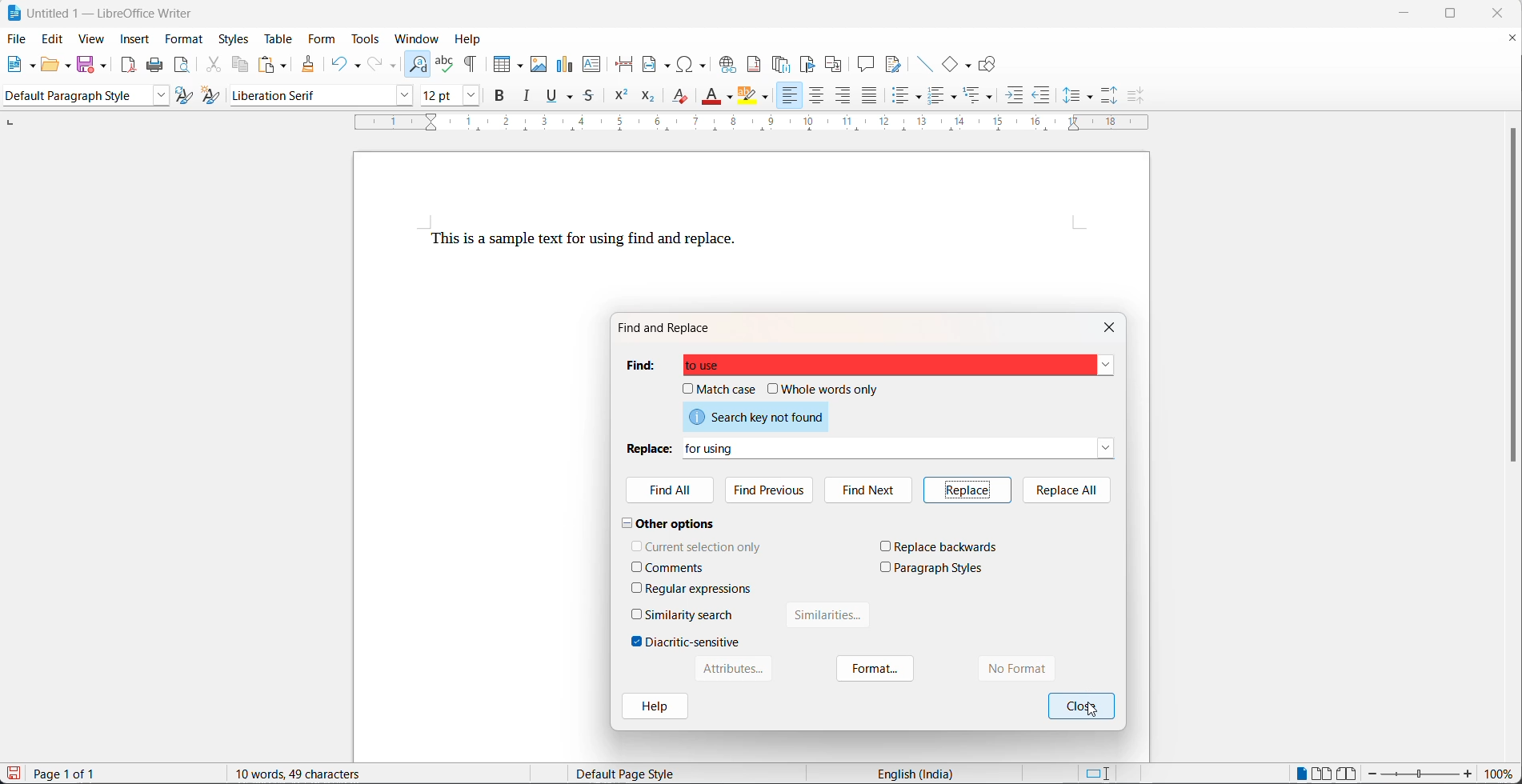 The image size is (1522, 784). What do you see at coordinates (636, 774) in the screenshot?
I see `Default page style` at bounding box center [636, 774].